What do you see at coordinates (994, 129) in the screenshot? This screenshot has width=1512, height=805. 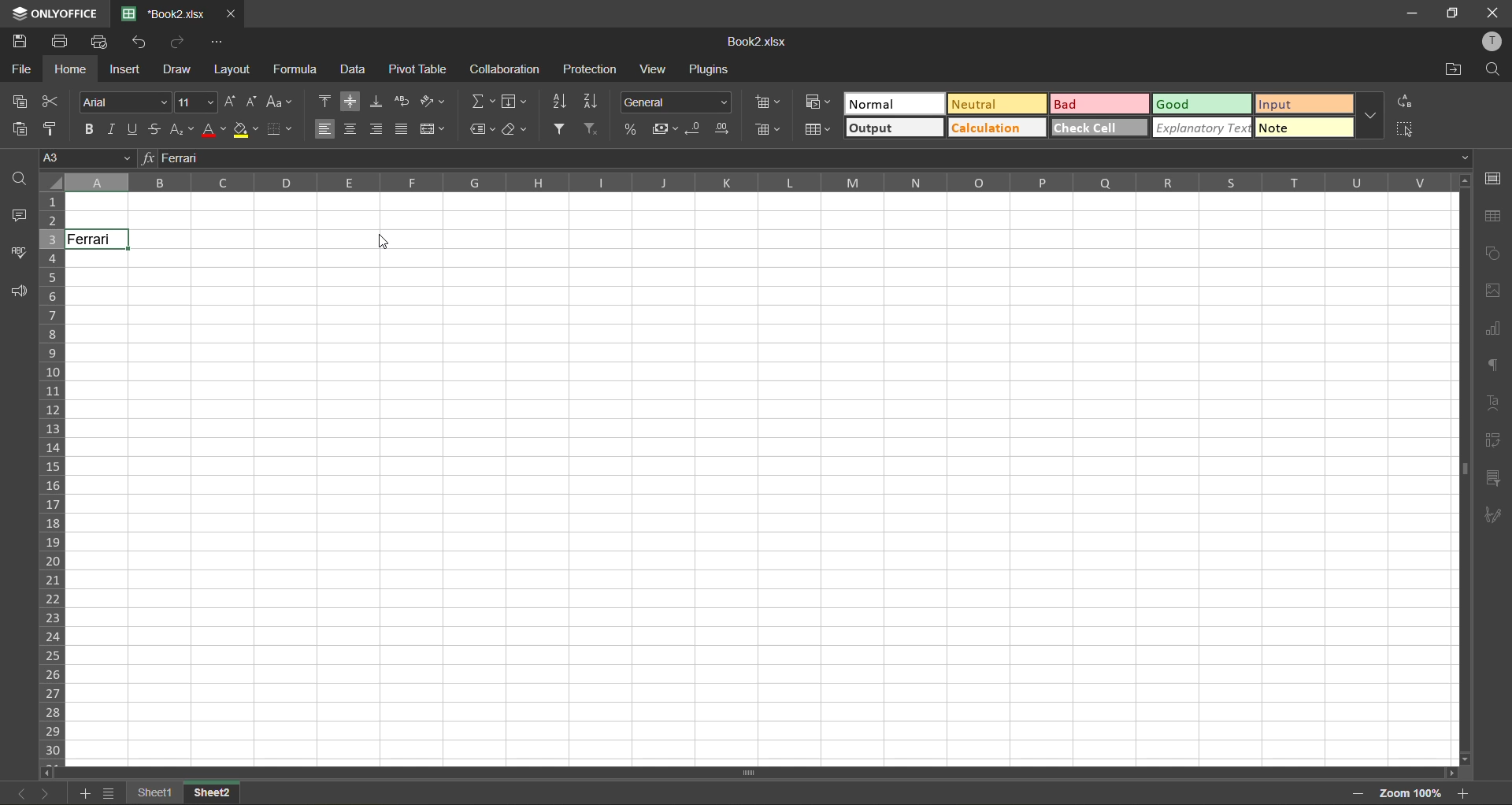 I see `calculation` at bounding box center [994, 129].